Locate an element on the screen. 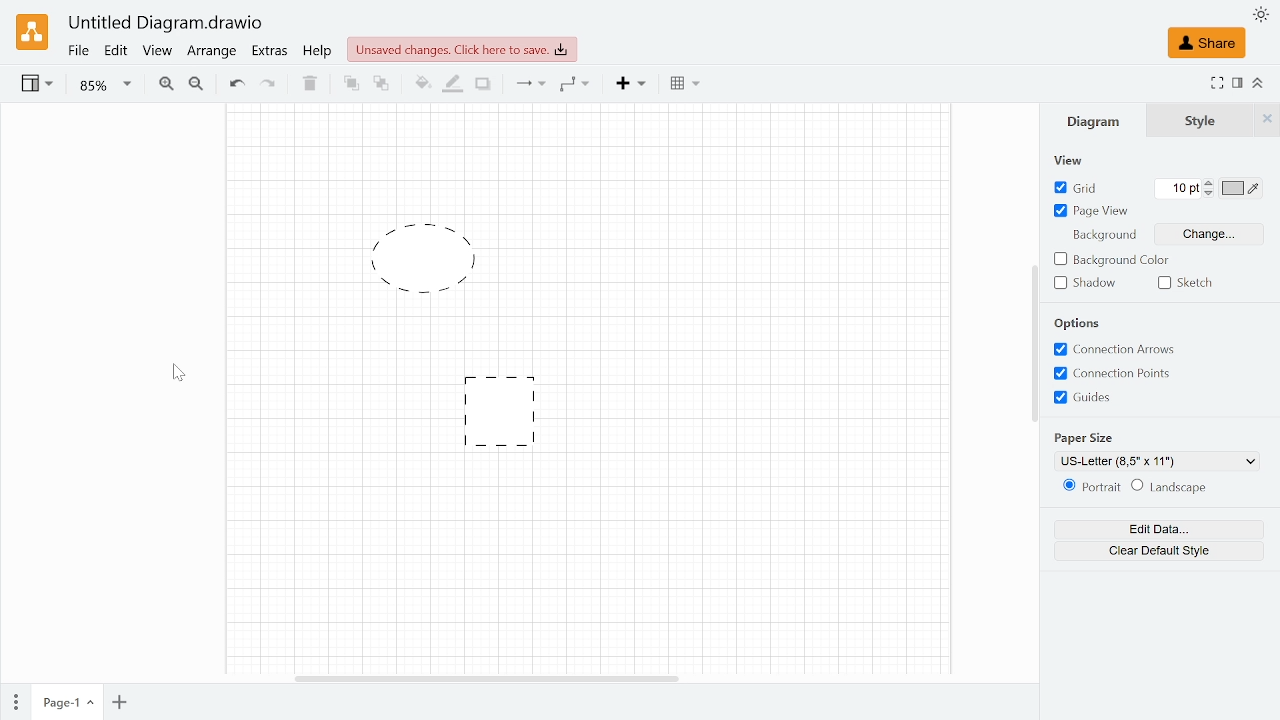 The image size is (1280, 720). Unsaved changes. click here to save is located at coordinates (462, 50).